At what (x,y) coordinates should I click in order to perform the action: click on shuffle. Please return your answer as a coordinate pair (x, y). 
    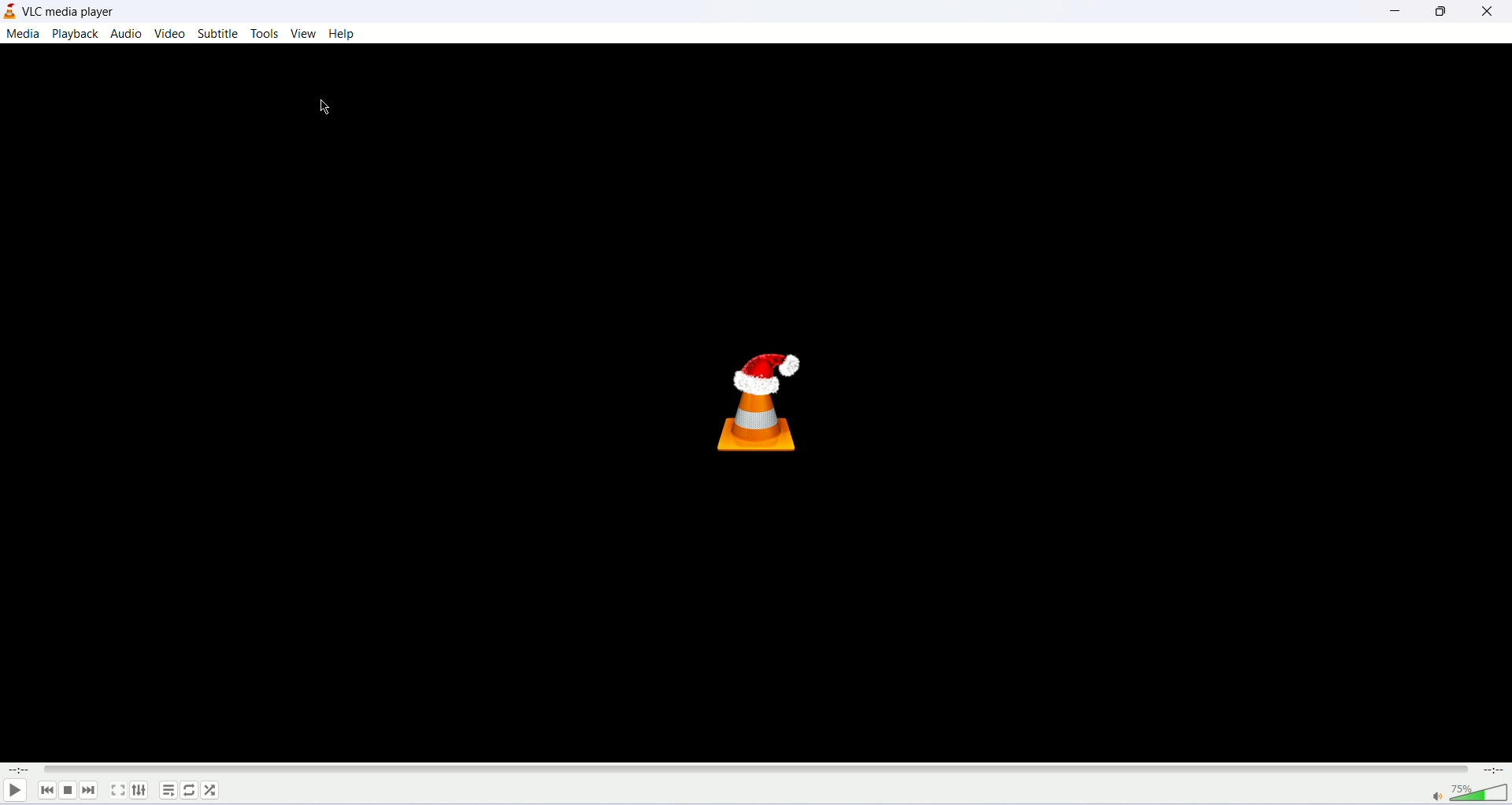
    Looking at the image, I should click on (212, 790).